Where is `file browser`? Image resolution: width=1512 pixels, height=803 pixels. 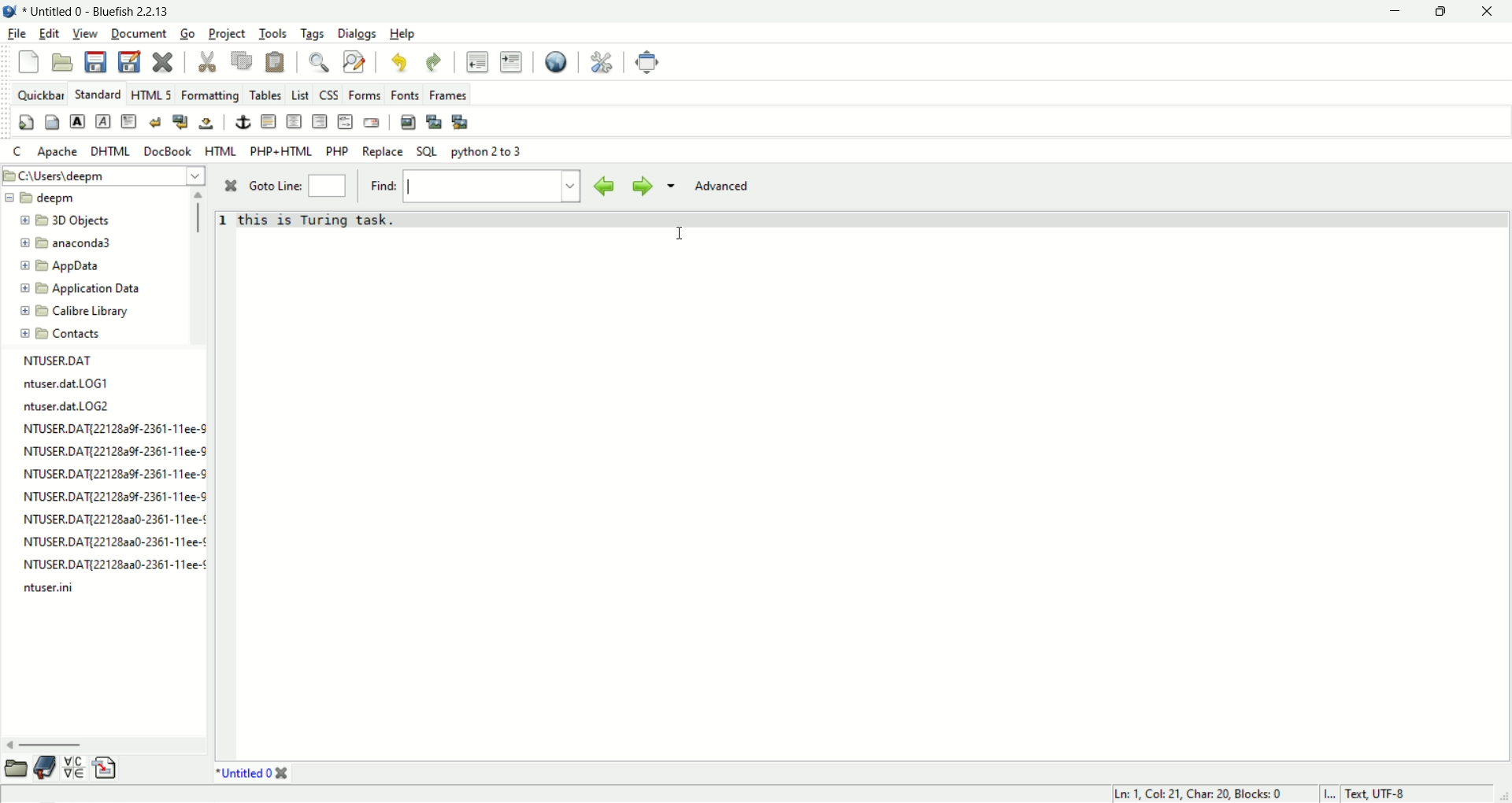
file browser is located at coordinates (15, 767).